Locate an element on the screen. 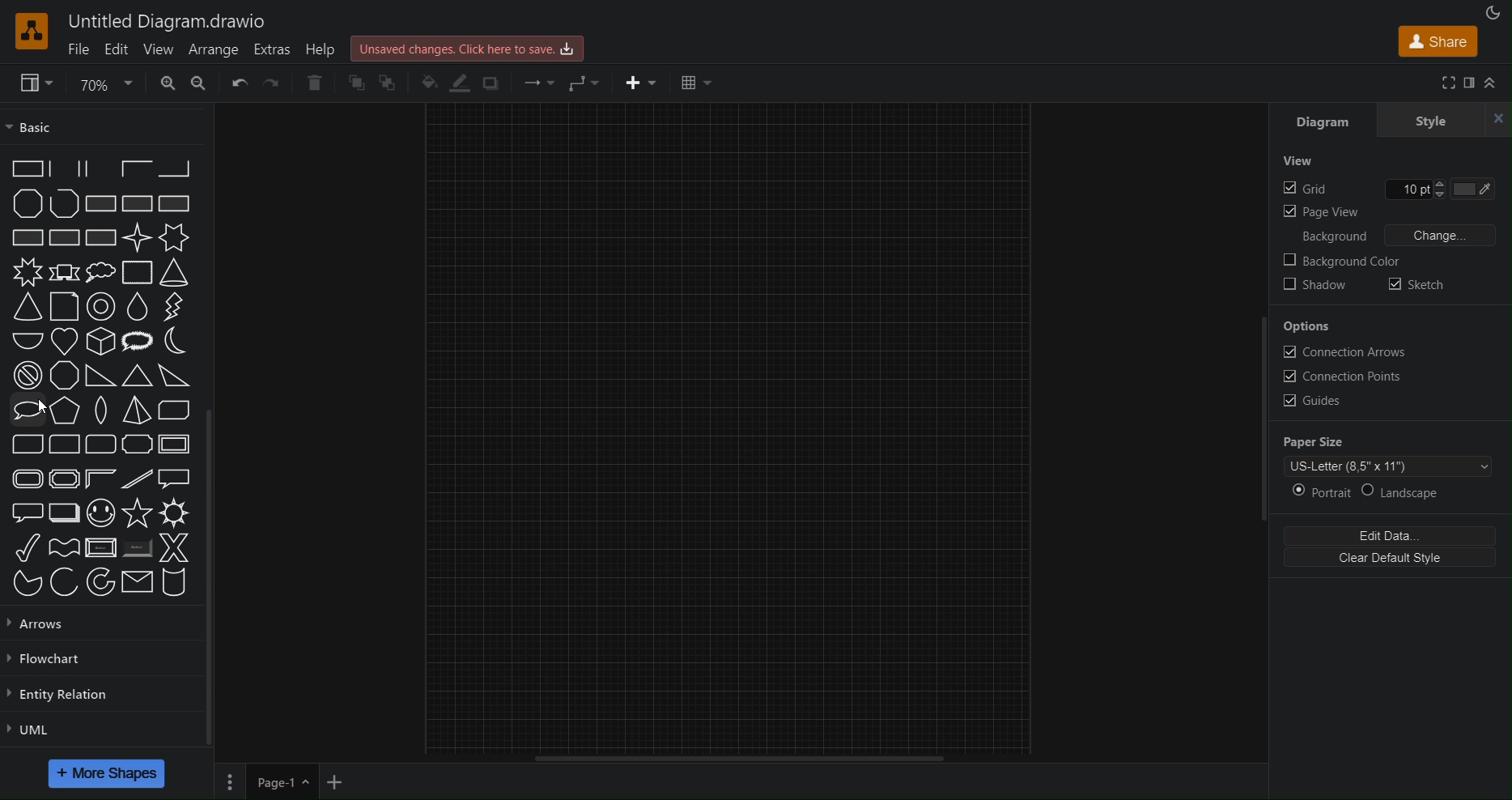 This screenshot has height=800, width=1512. Frame Corner is located at coordinates (101, 479).